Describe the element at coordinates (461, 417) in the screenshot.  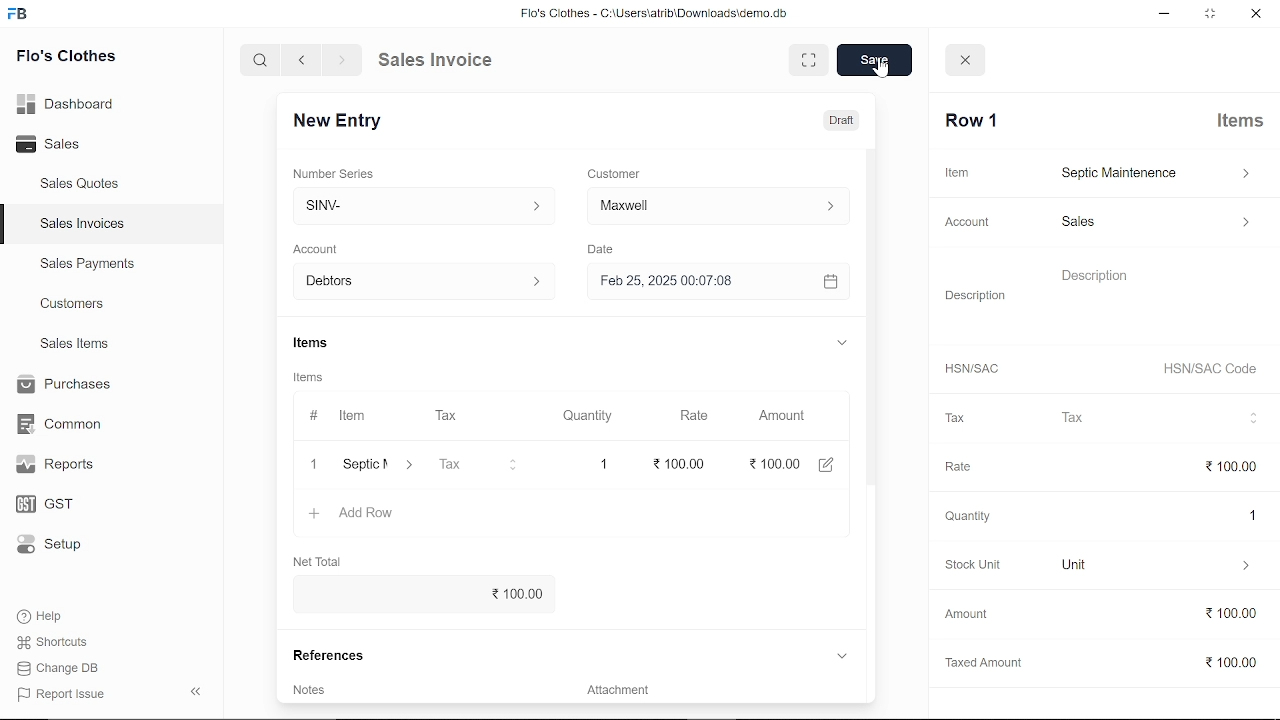
I see `Tax` at that location.